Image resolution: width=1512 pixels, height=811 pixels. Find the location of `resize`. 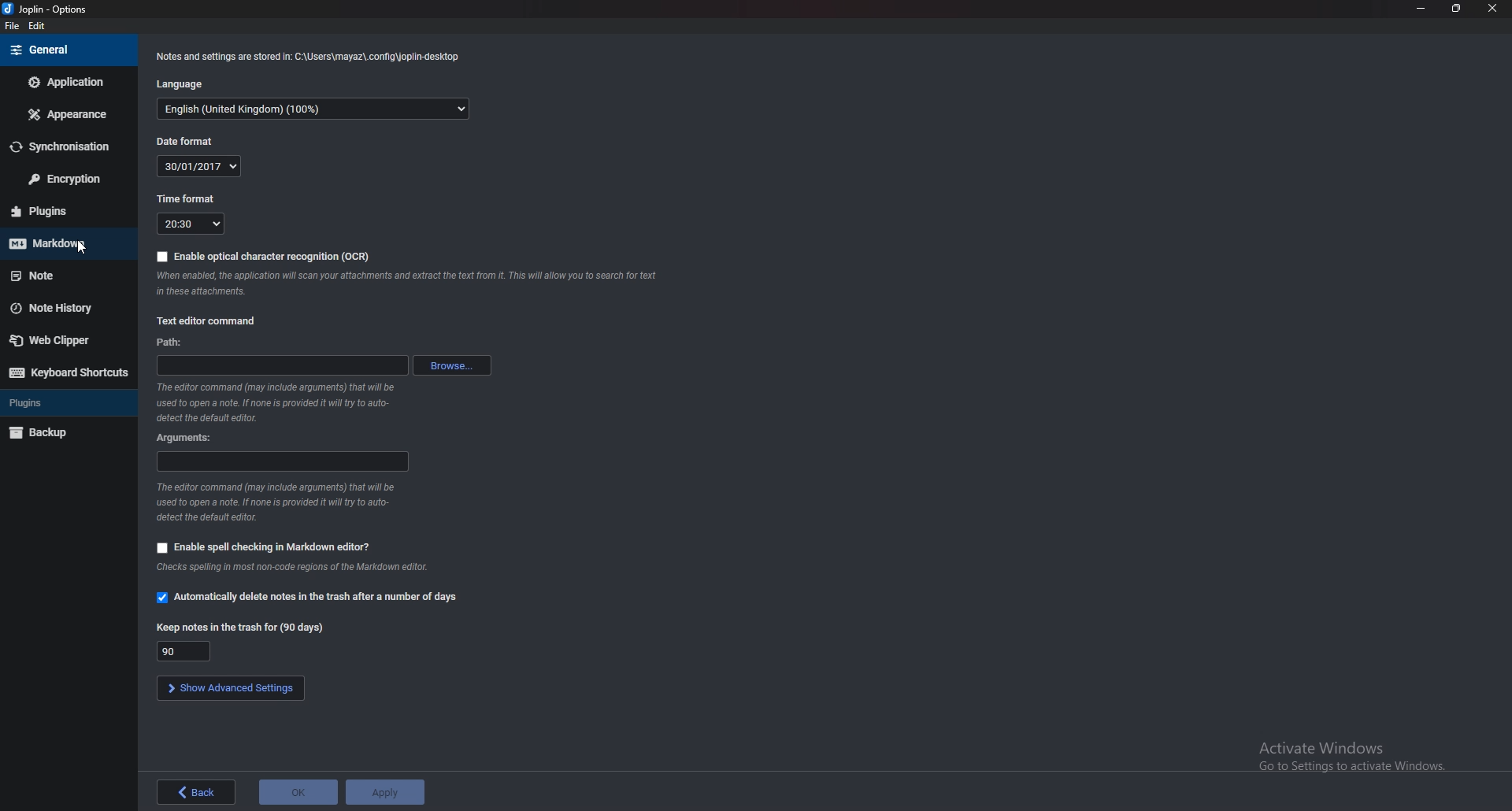

resize is located at coordinates (1455, 9).